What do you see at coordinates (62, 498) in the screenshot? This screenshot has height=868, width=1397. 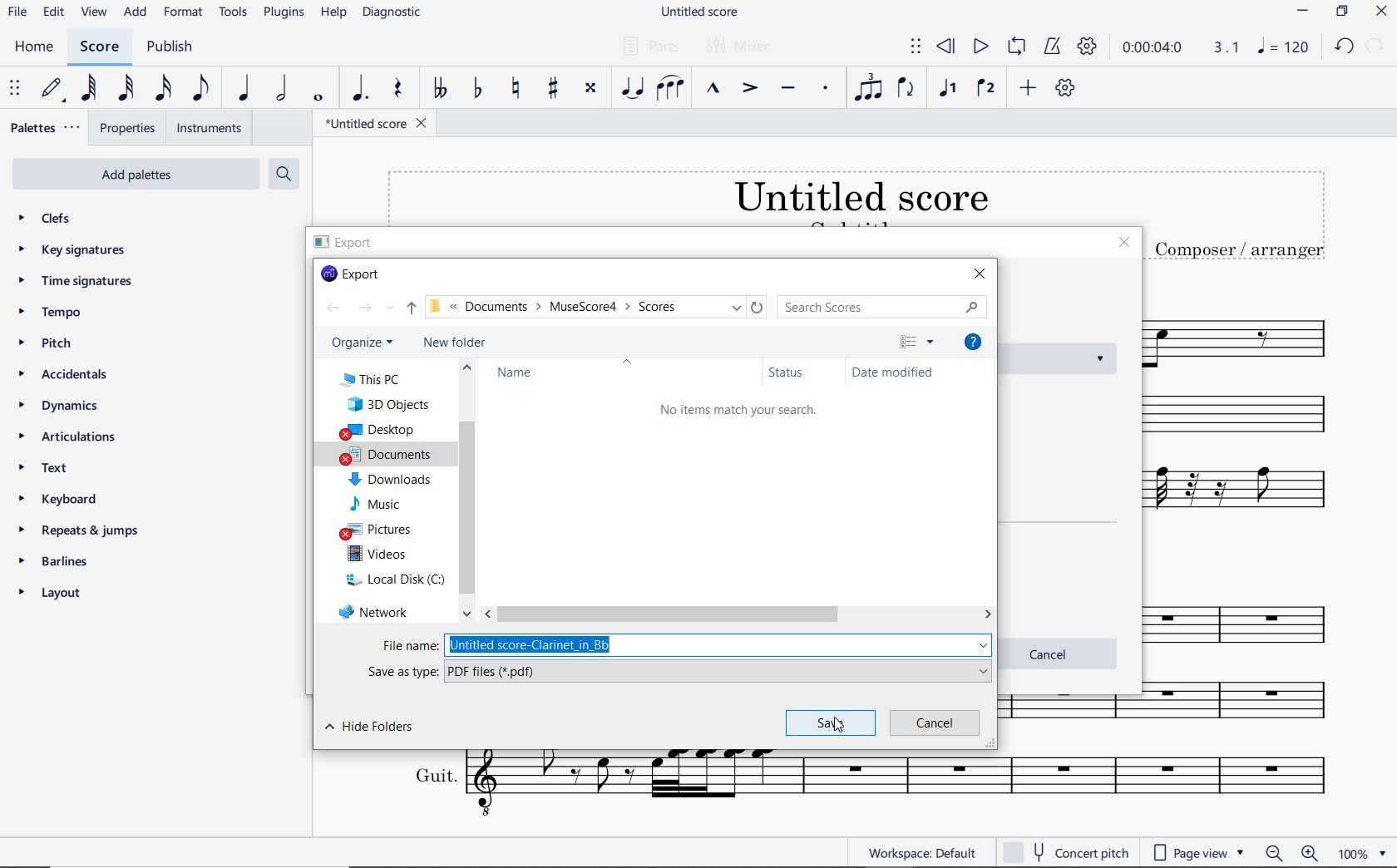 I see `keyboard` at bounding box center [62, 498].